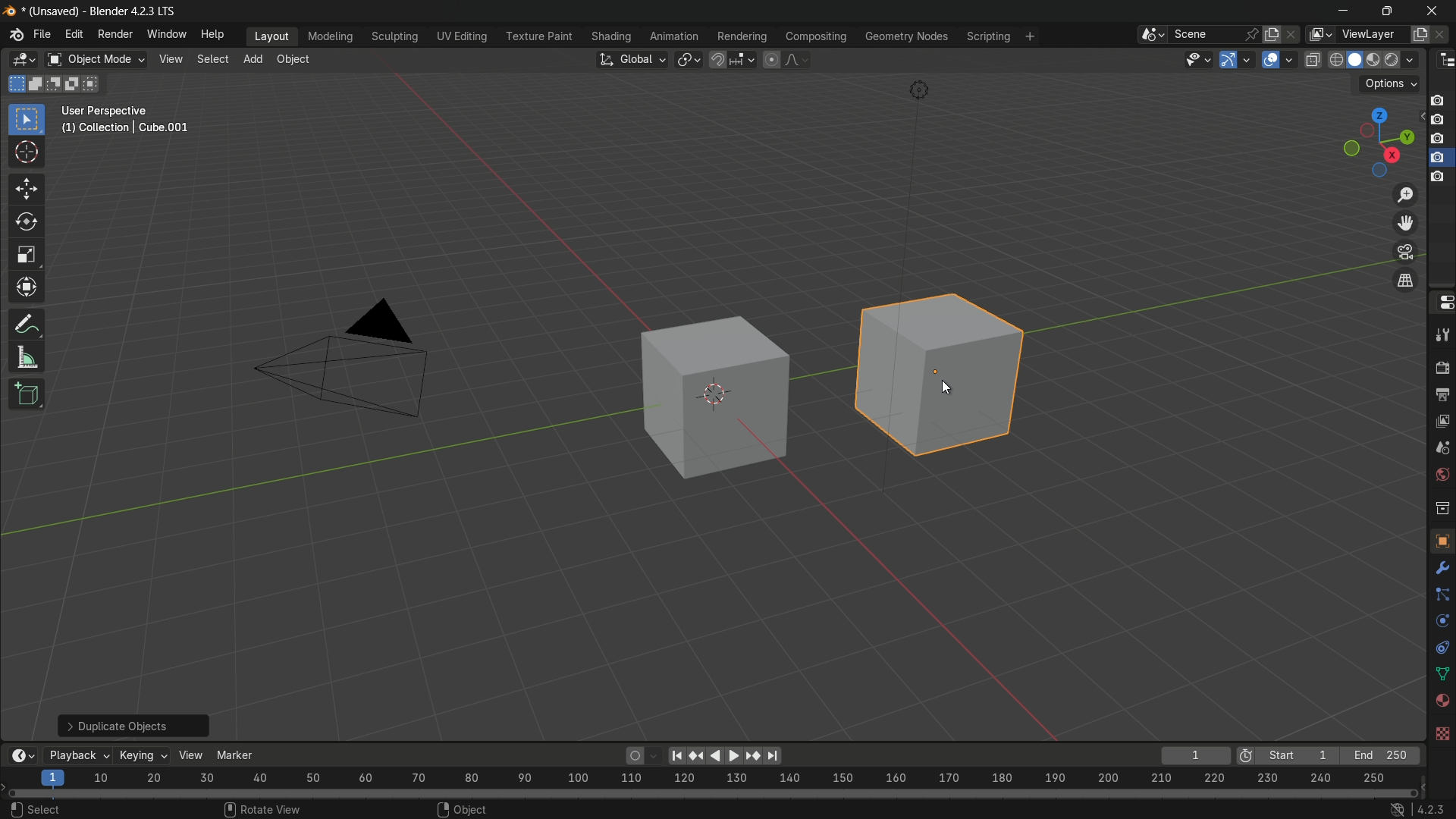  What do you see at coordinates (132, 723) in the screenshot?
I see `Duplicate Object` at bounding box center [132, 723].